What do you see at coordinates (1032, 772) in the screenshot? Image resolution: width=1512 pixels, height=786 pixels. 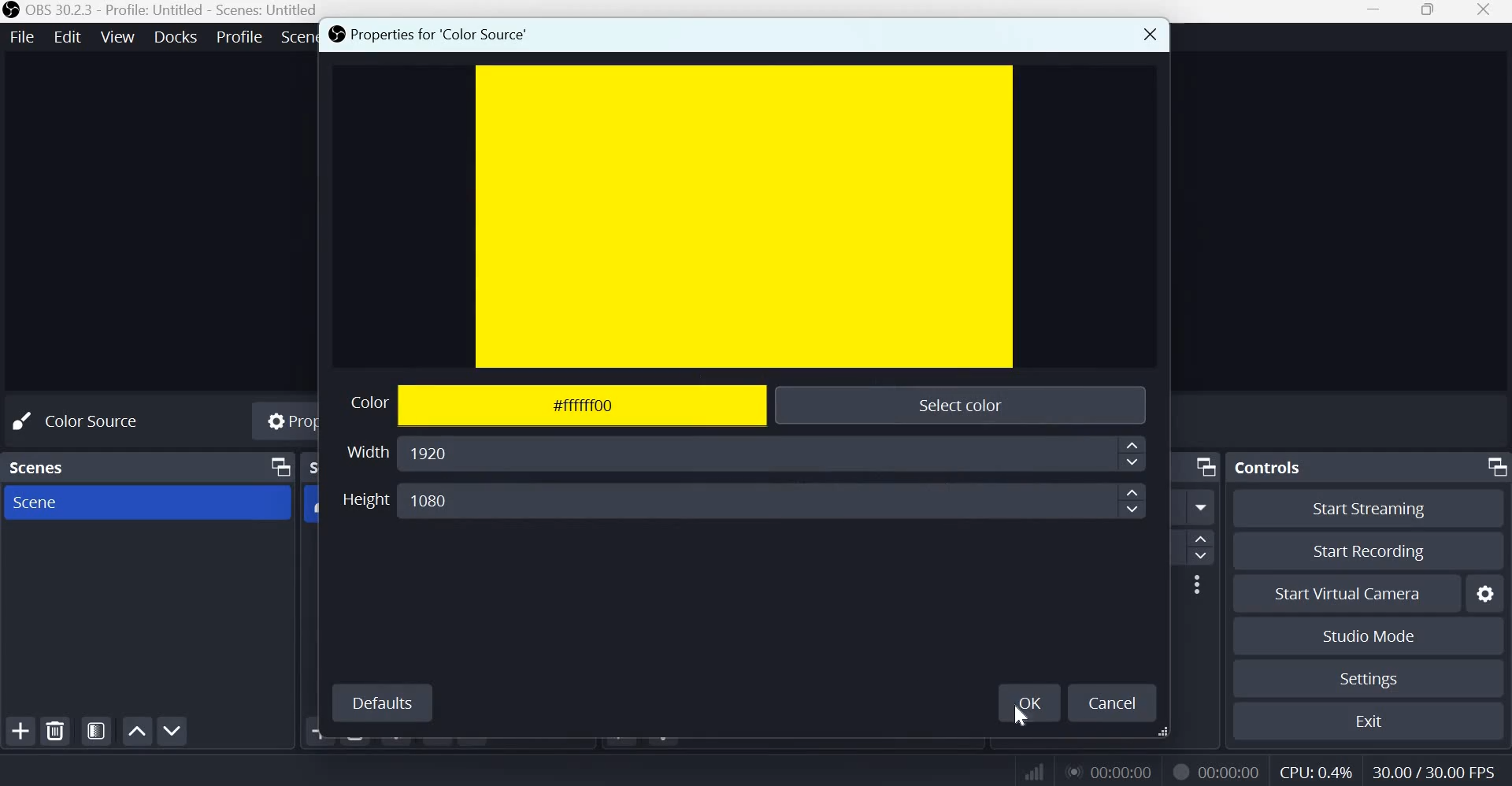 I see `Connection Status Indicator` at bounding box center [1032, 772].